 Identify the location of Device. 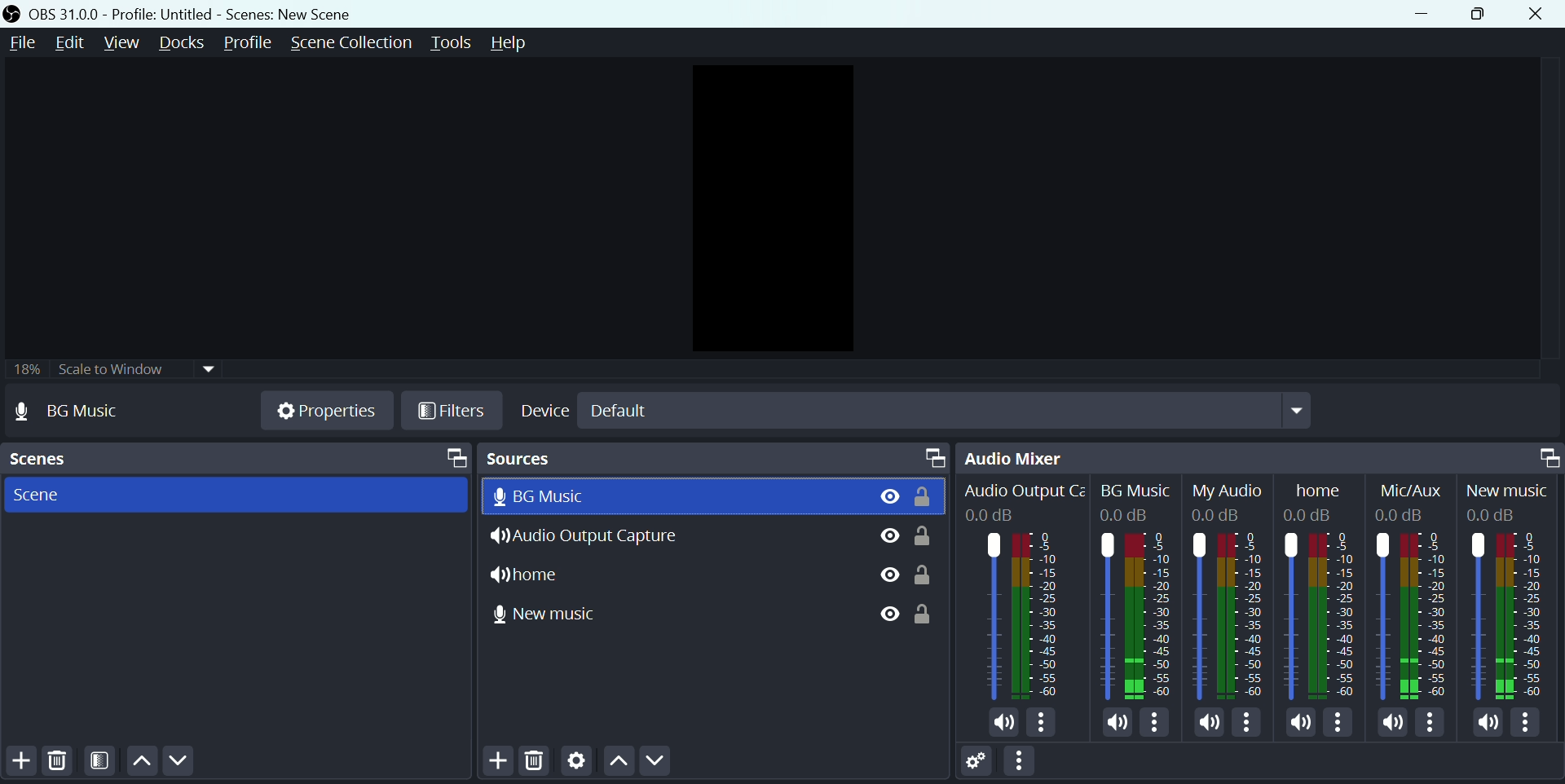
(543, 411).